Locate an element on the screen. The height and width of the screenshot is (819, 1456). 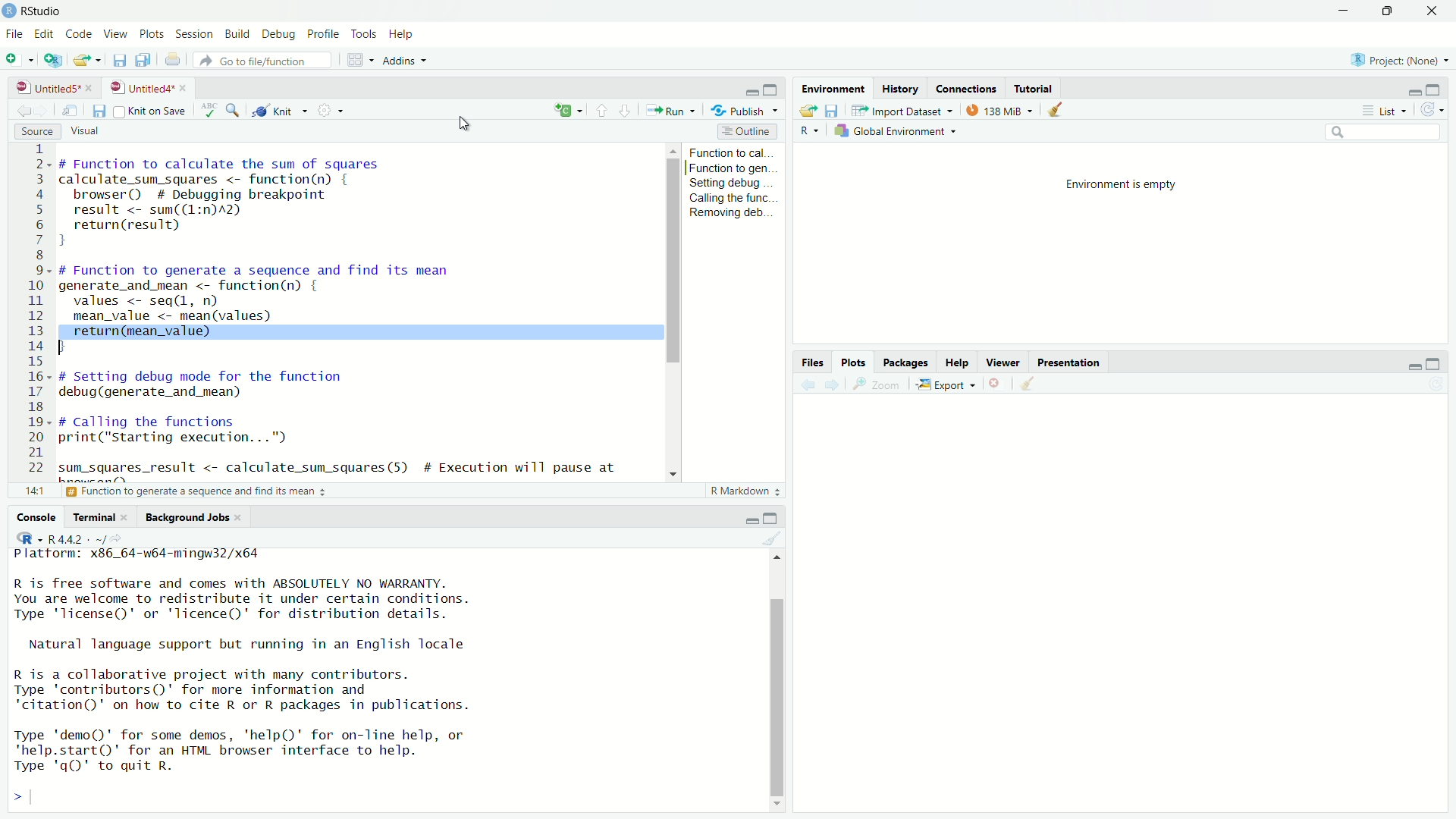
spell check is located at coordinates (206, 111).